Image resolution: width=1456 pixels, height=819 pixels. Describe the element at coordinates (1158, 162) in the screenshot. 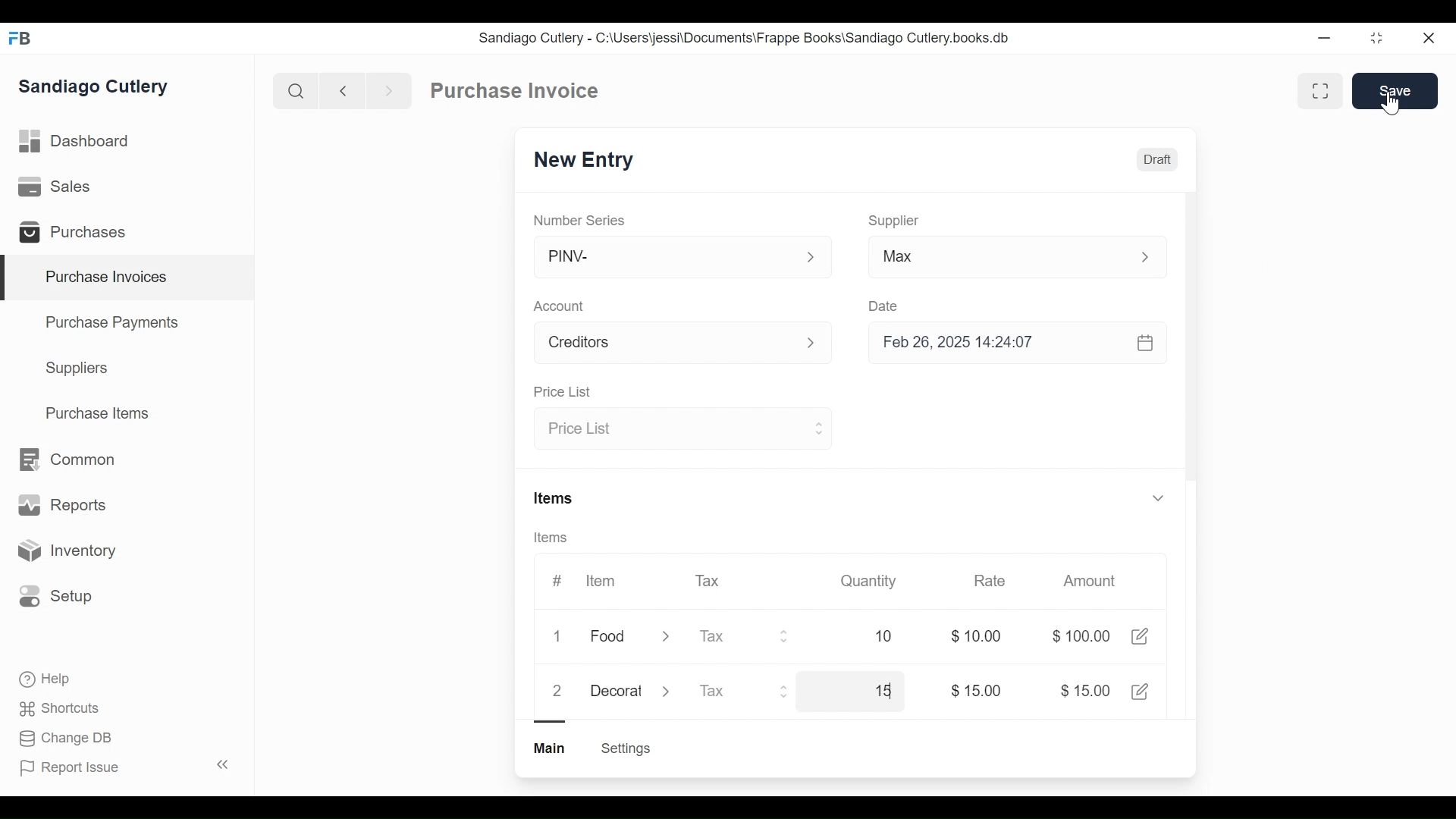

I see `Draft` at that location.